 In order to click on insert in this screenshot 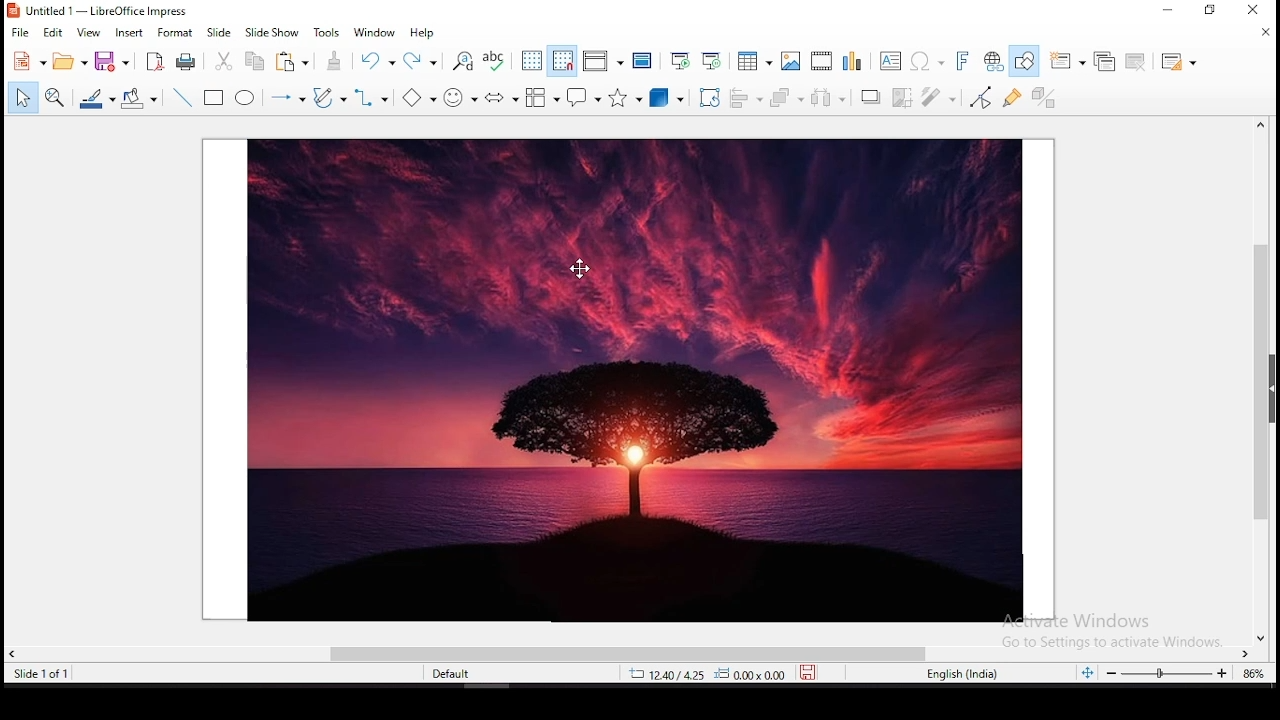, I will do `click(129, 33)`.